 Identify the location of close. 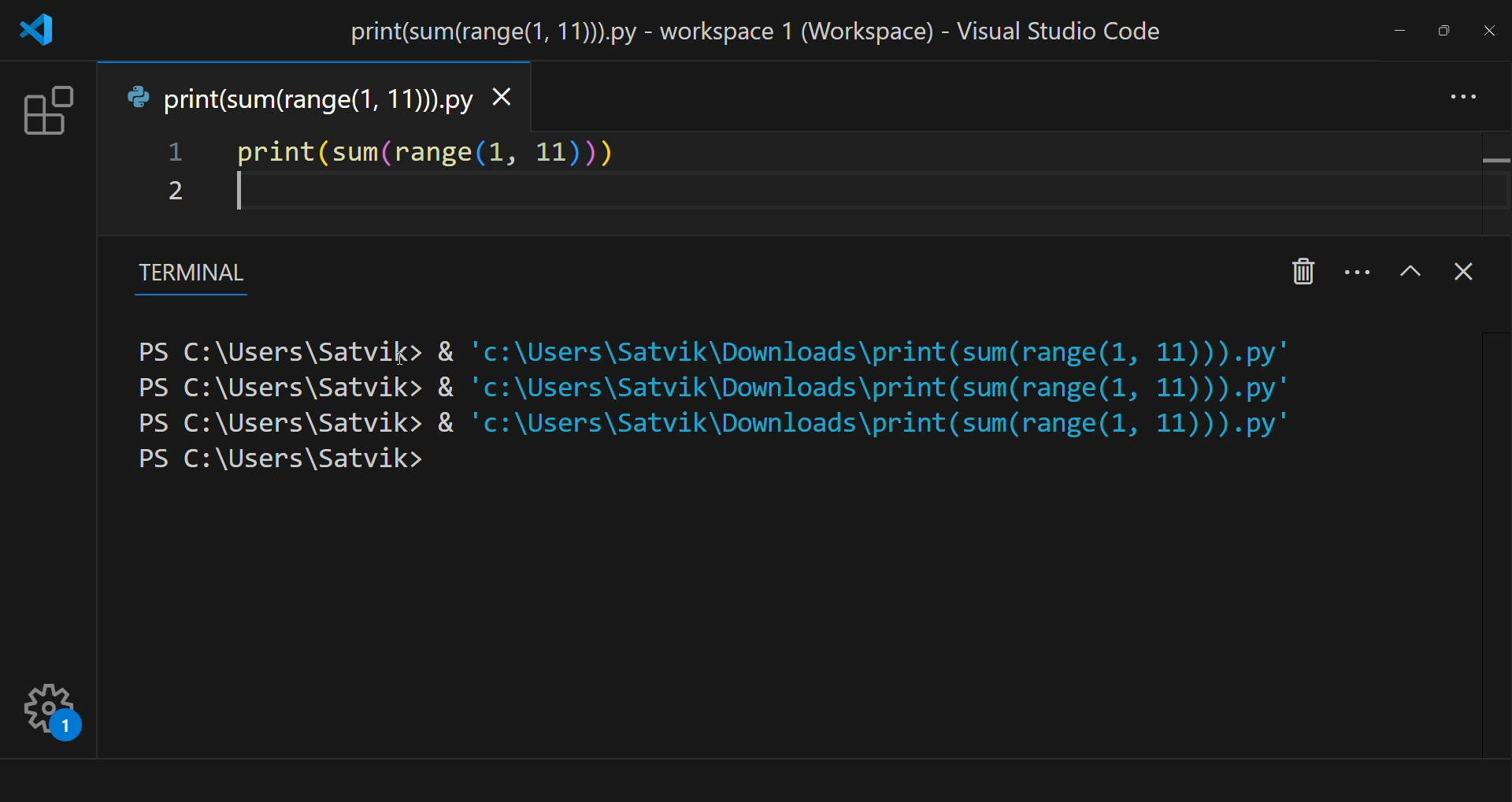
(1488, 29).